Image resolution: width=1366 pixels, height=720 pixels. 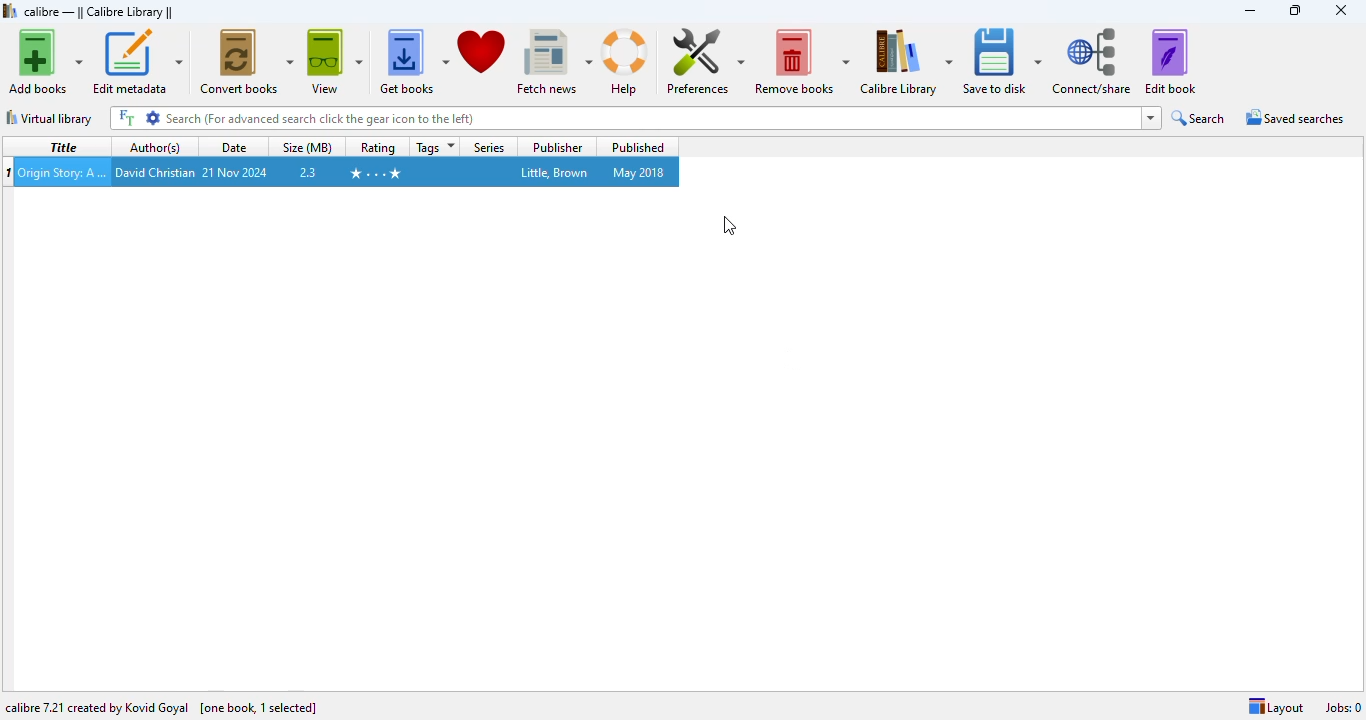 I want to click on little, brown, so click(x=556, y=172).